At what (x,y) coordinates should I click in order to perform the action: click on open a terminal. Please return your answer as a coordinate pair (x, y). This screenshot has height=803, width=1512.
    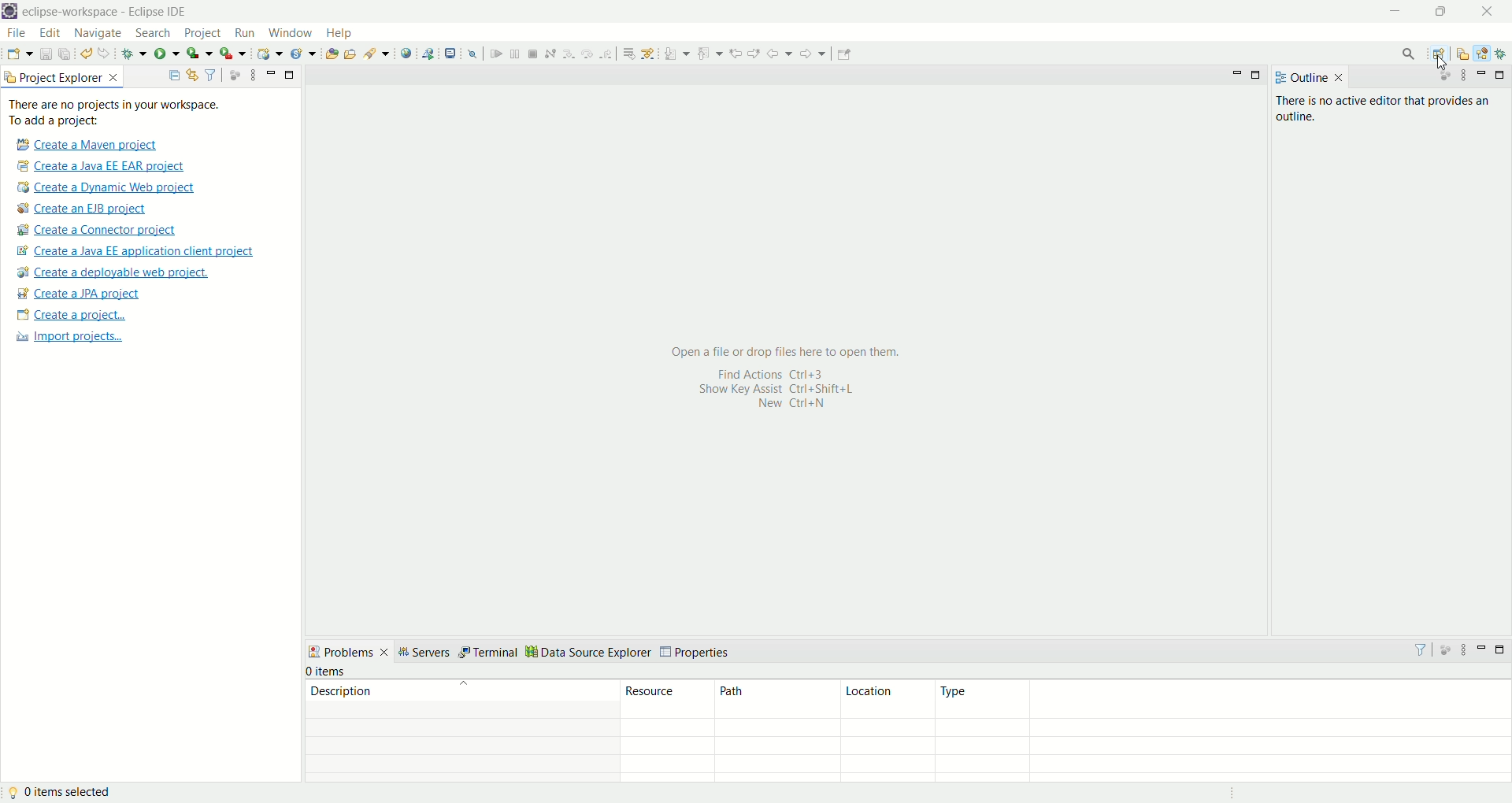
    Looking at the image, I should click on (449, 53).